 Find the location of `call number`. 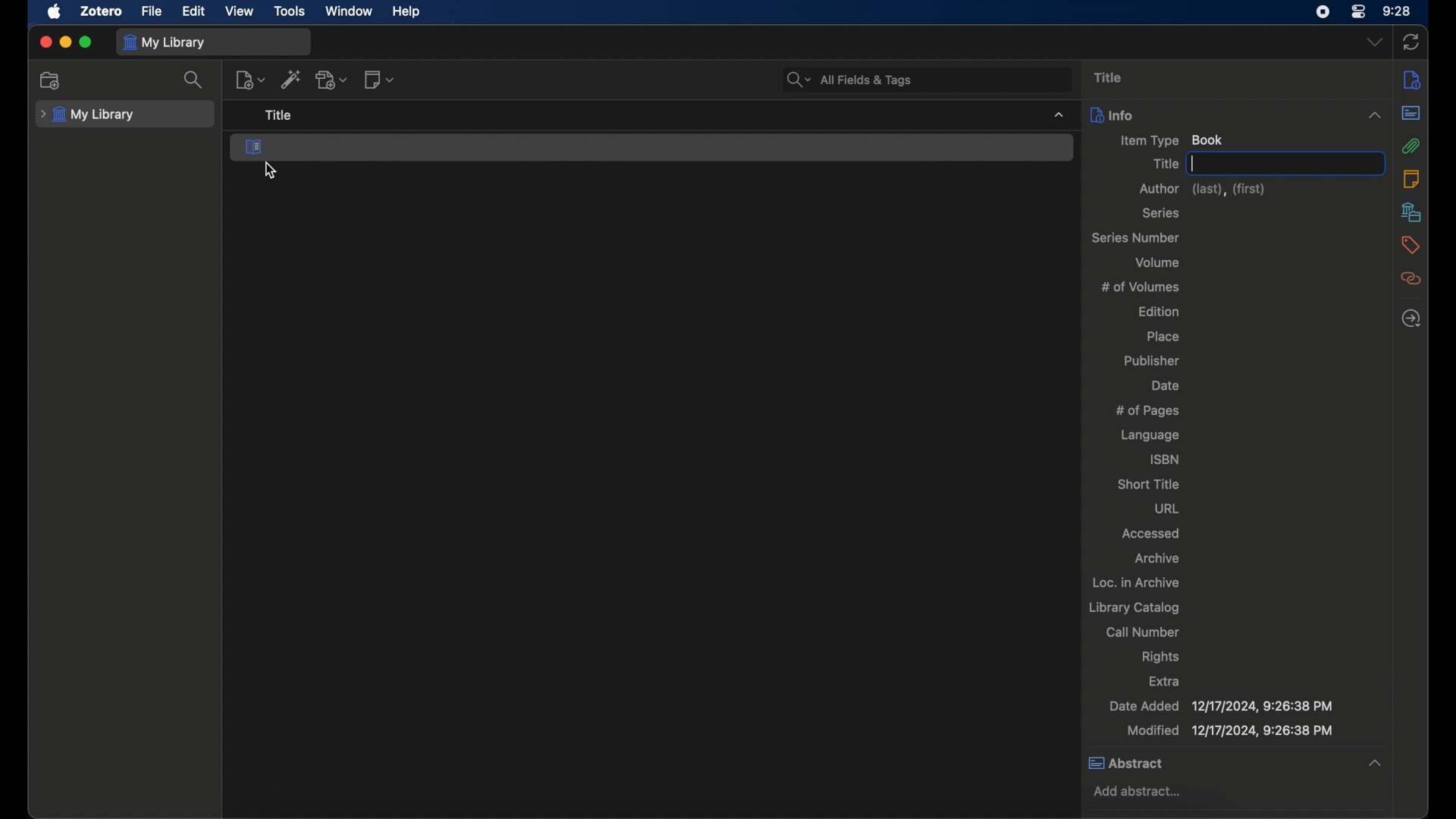

call number is located at coordinates (1143, 632).